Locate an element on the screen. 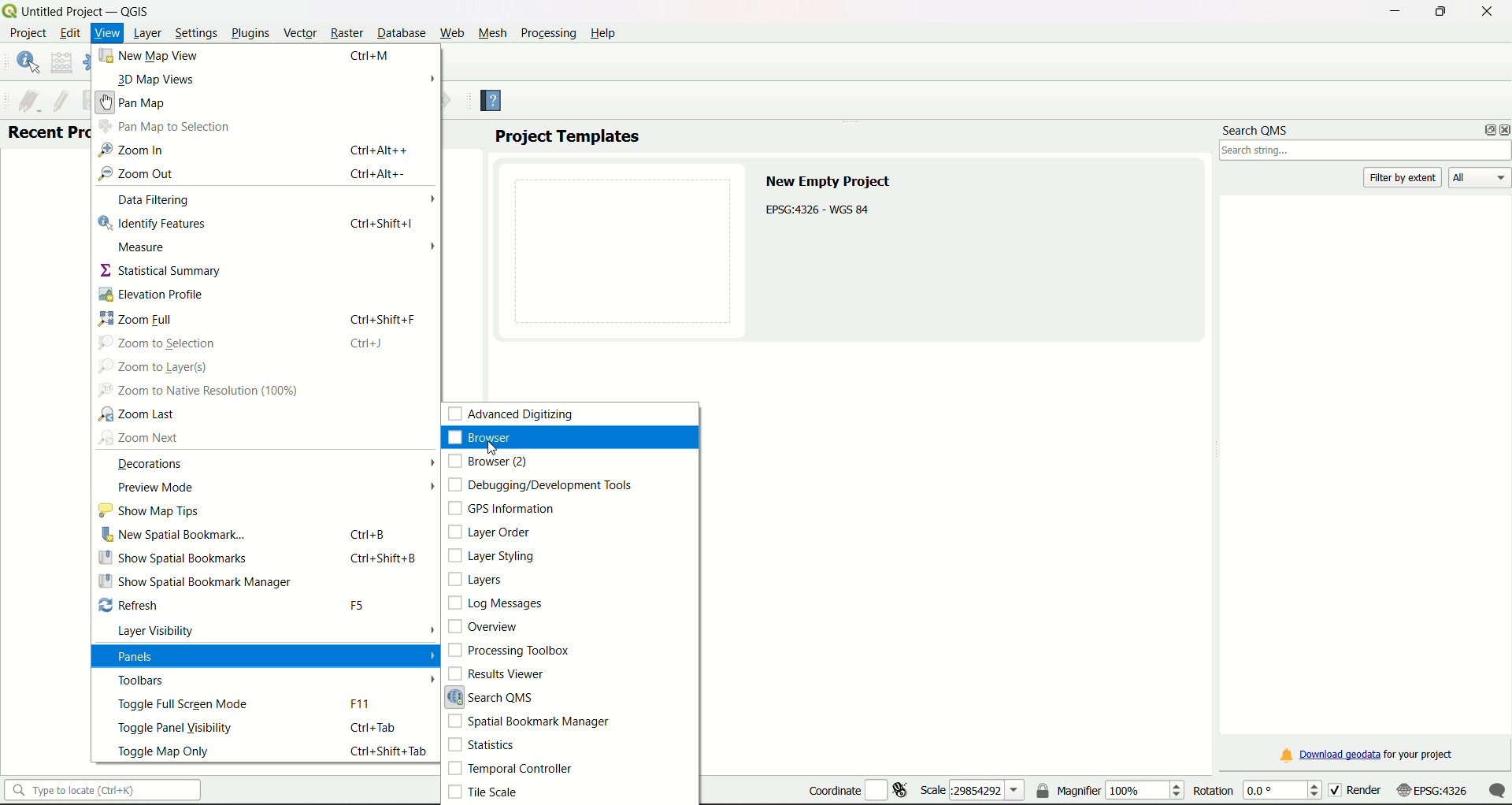 This screenshot has height=805, width=1512. Help is located at coordinates (603, 33).